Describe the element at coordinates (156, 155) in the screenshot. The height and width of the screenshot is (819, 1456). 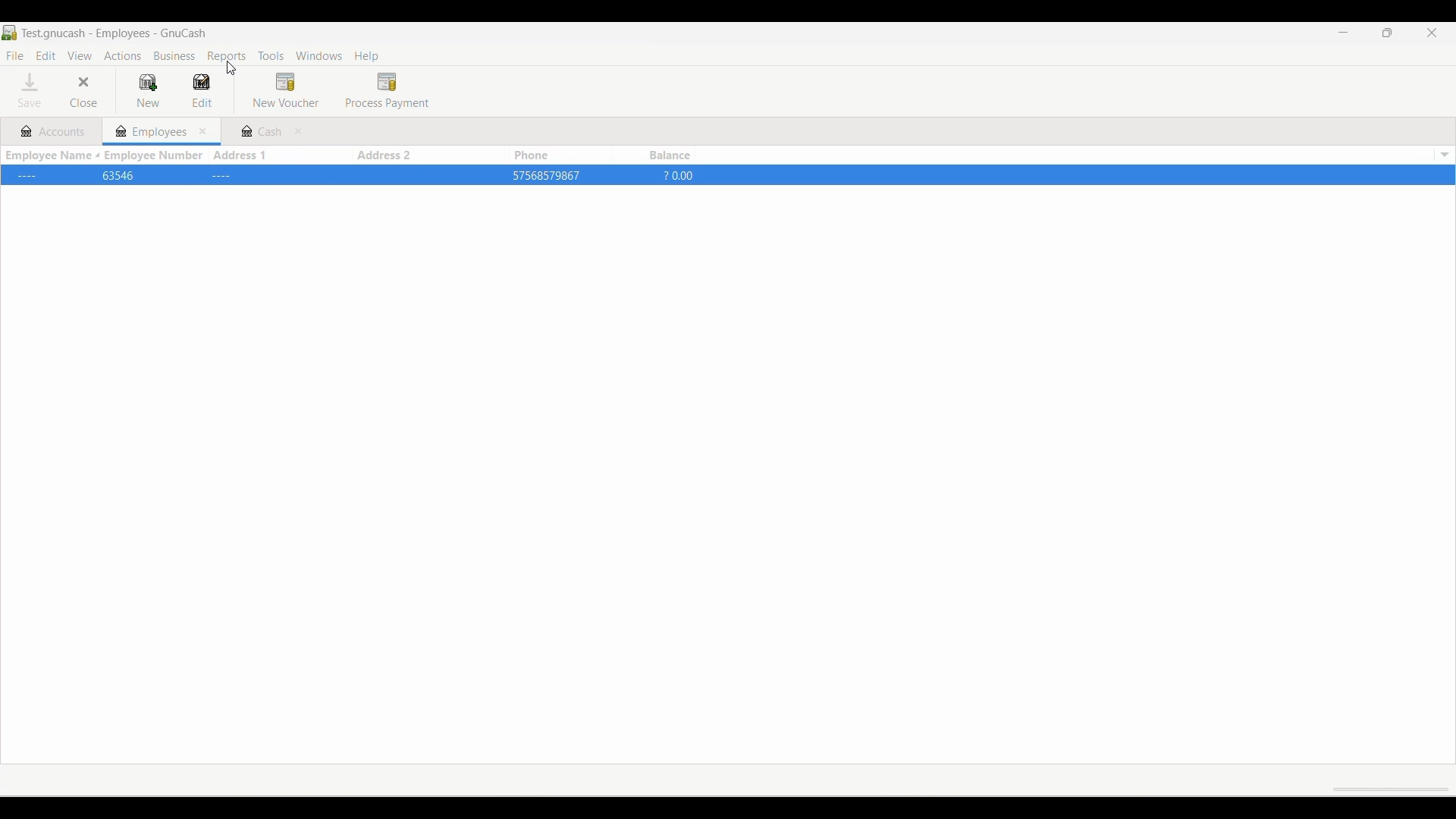
I see `Employee number column` at that location.